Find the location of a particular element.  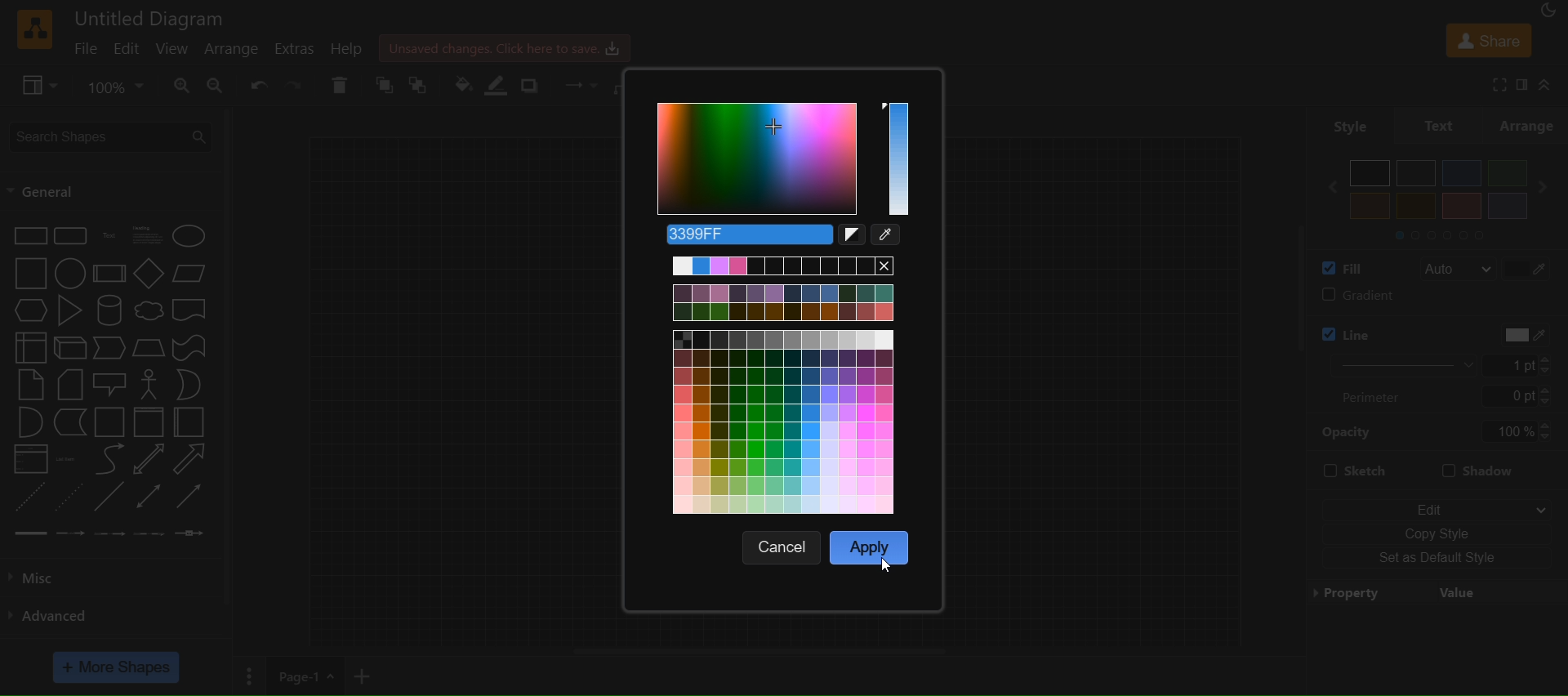

sketch is located at coordinates (1354, 472).